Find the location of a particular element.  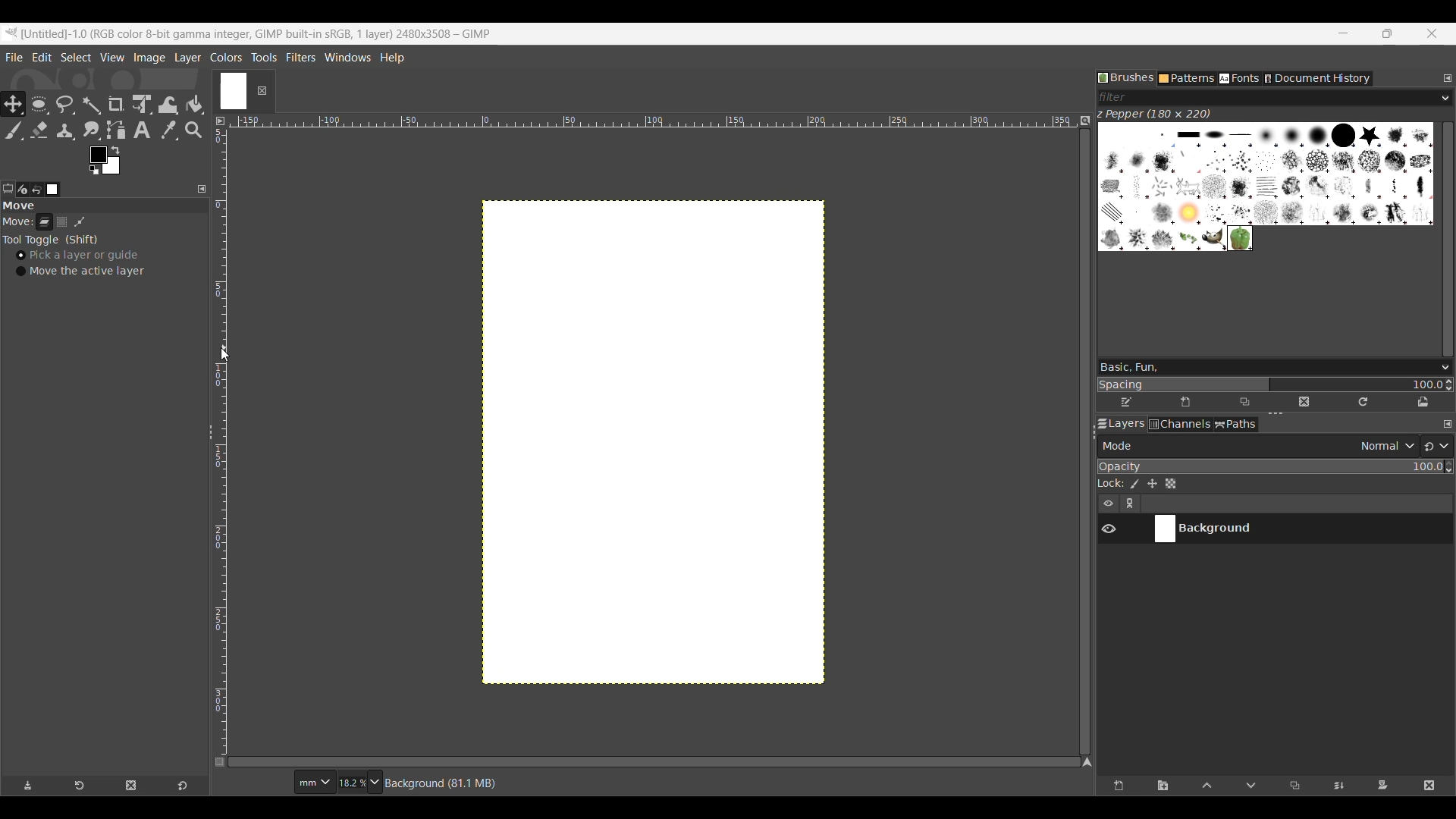

Selection is located at coordinates (65, 224).